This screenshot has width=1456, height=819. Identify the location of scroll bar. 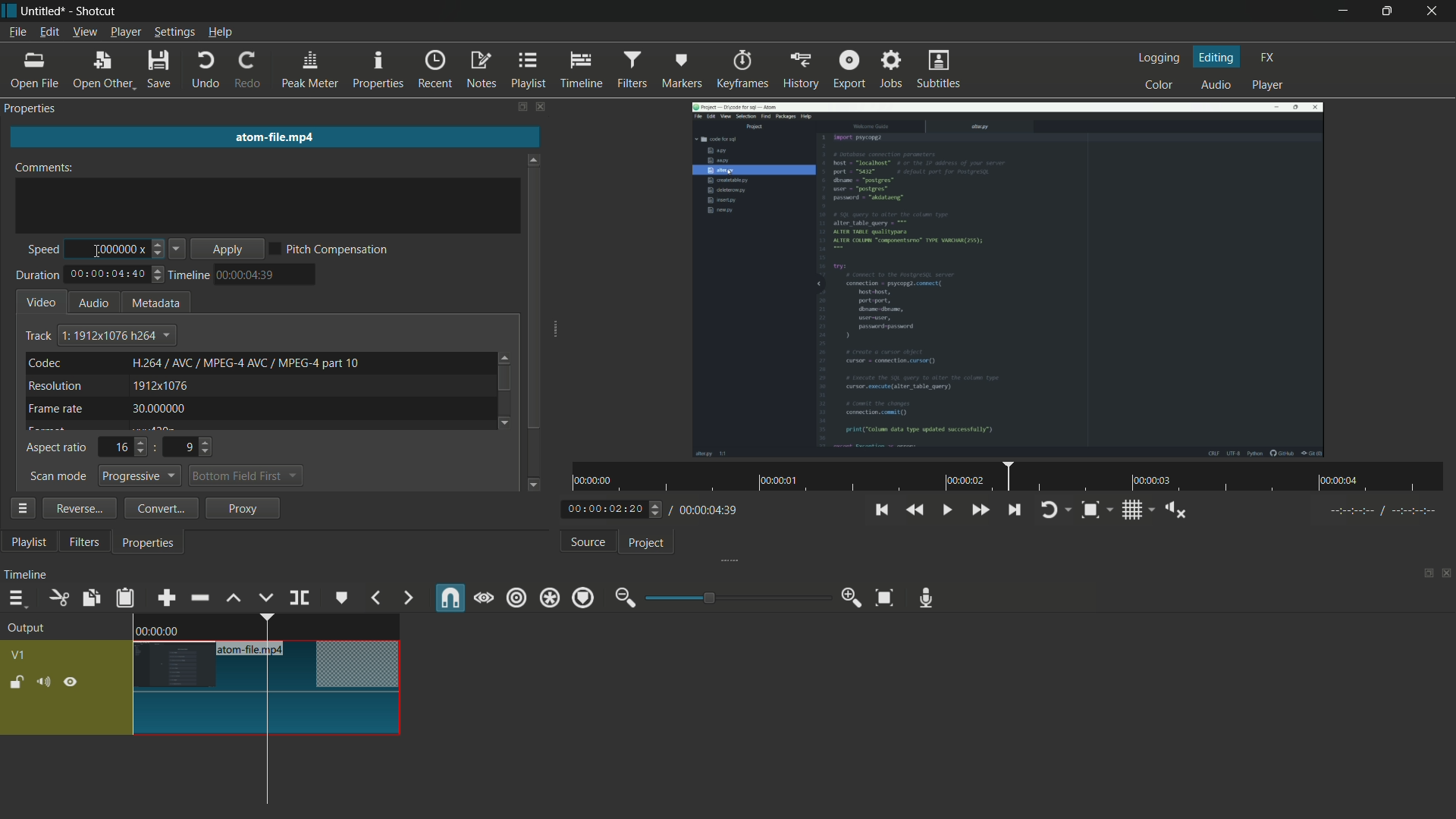
(504, 378).